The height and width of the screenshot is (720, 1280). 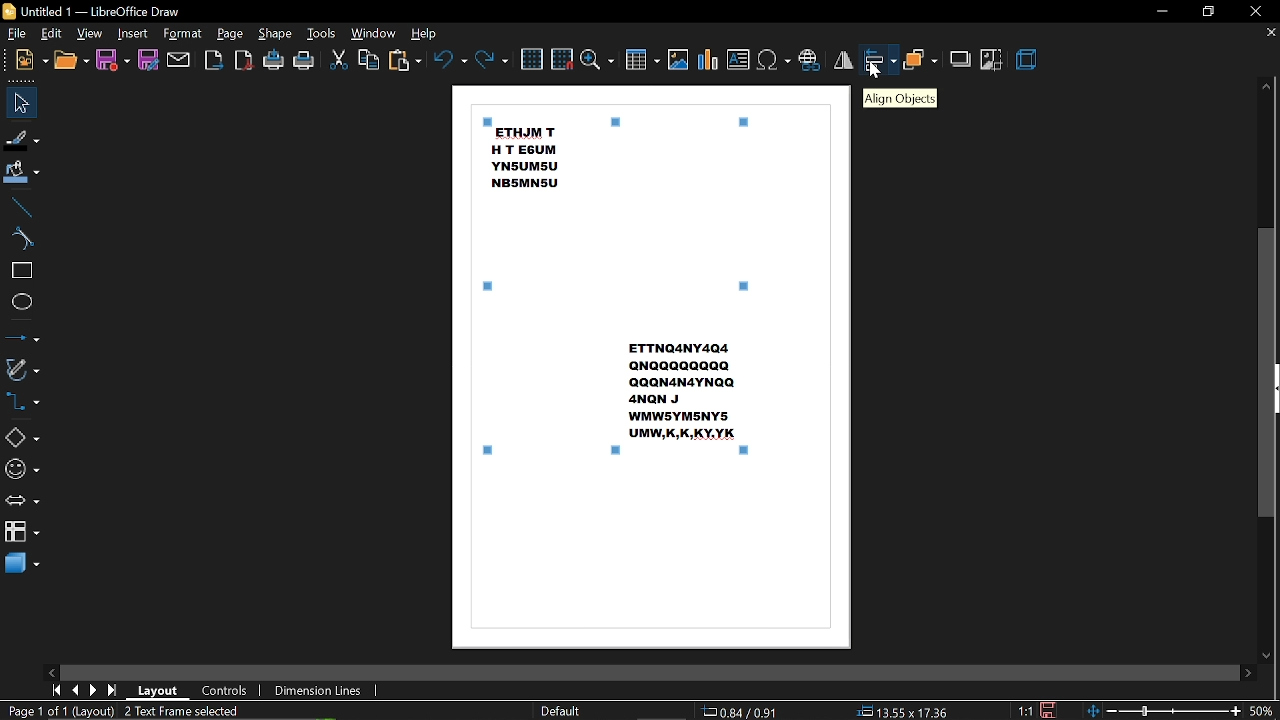 I want to click on move down, so click(x=1265, y=655).